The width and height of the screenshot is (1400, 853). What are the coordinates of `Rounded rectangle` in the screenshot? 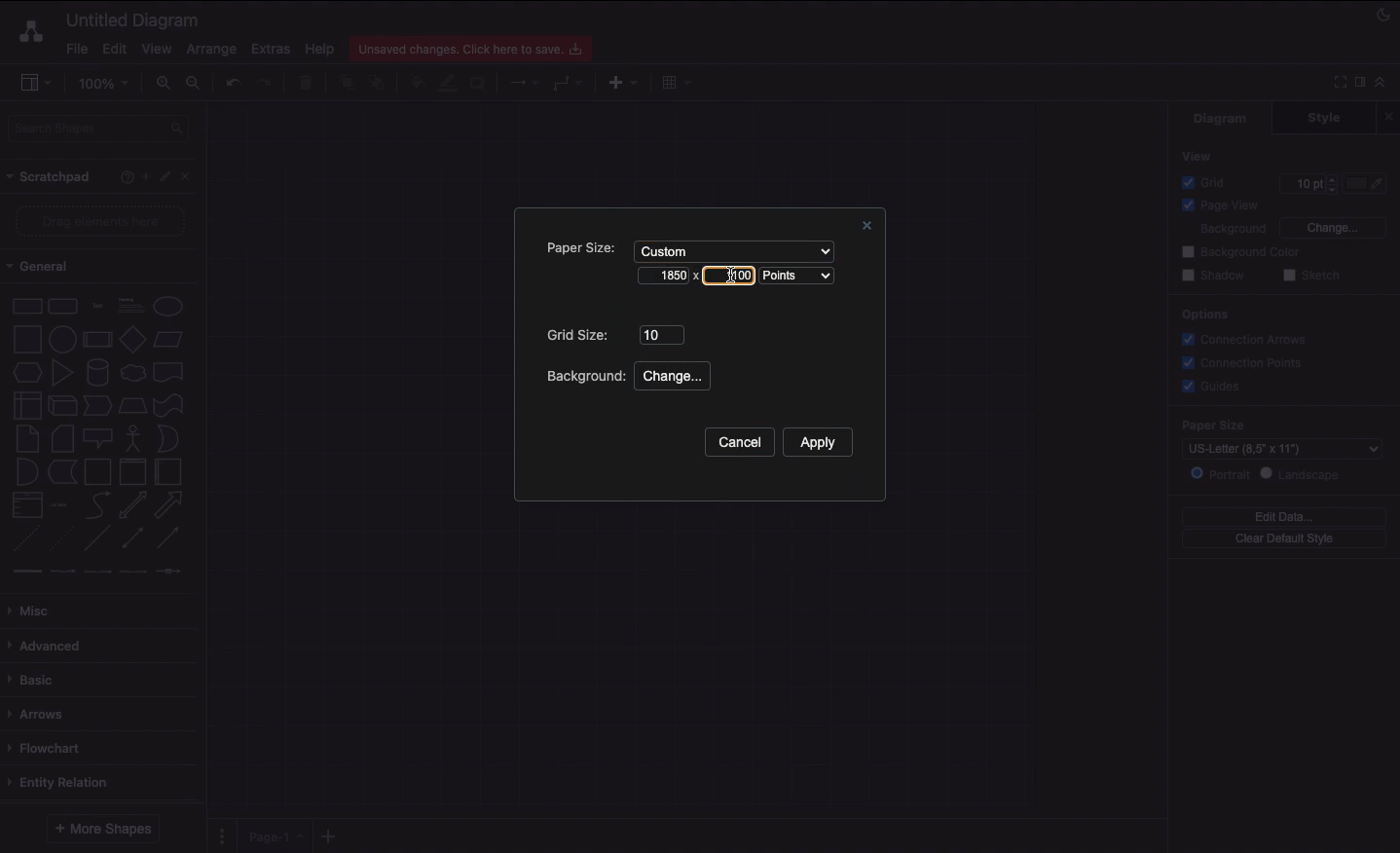 It's located at (63, 305).